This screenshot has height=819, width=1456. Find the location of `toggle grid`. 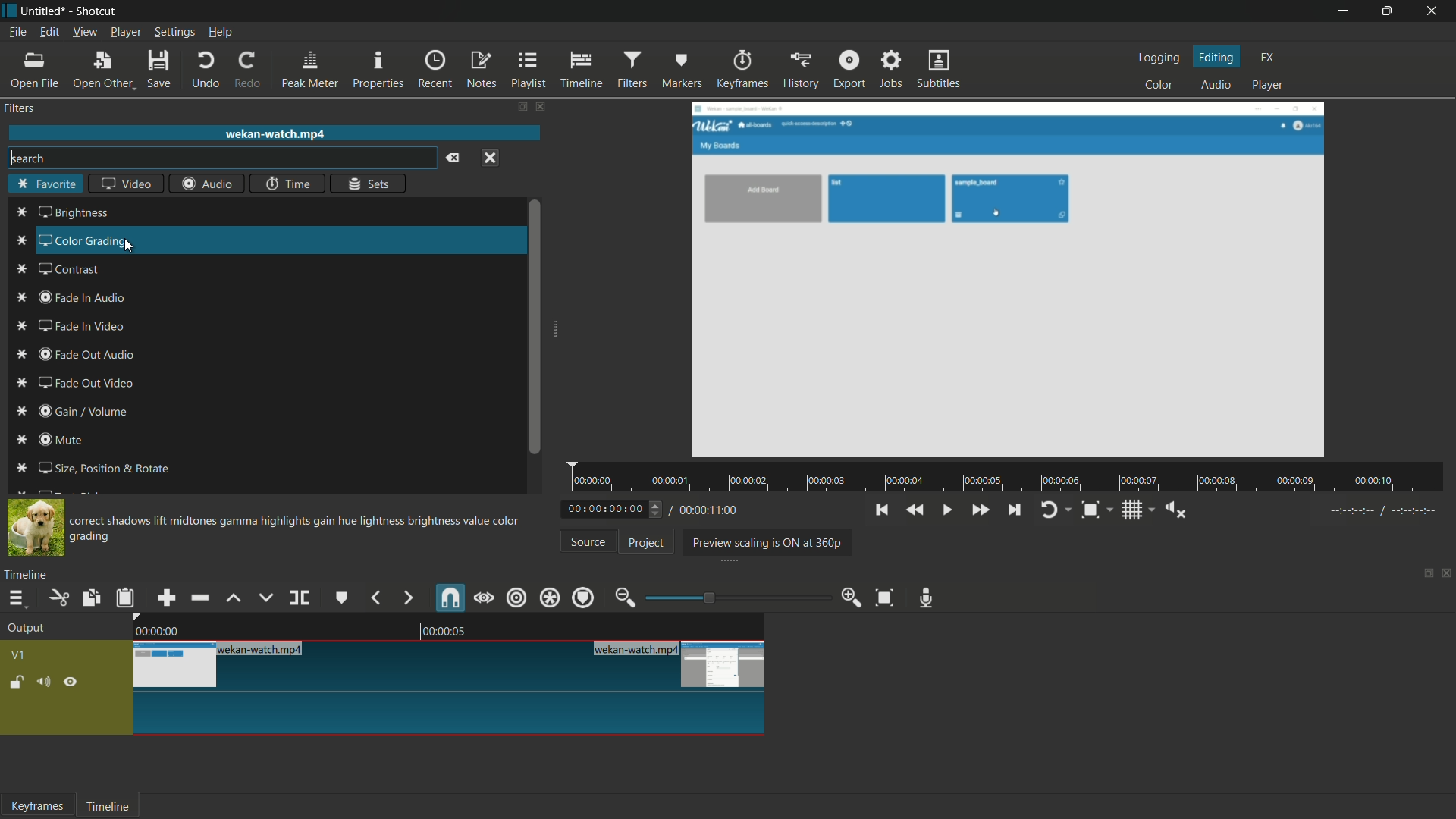

toggle grid is located at coordinates (1139, 510).